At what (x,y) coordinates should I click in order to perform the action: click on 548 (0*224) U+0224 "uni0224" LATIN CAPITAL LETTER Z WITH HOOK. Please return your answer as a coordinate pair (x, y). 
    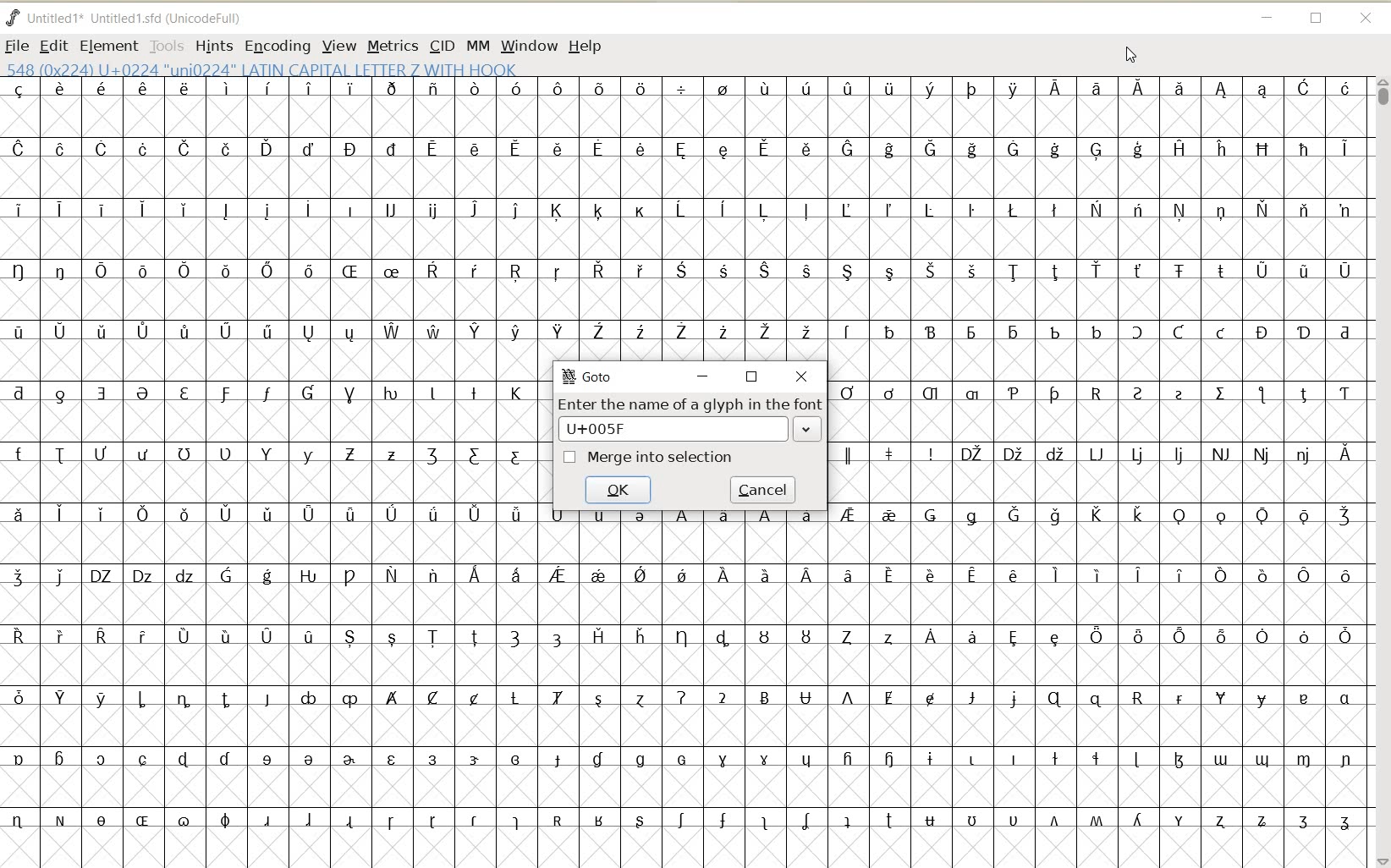
    Looking at the image, I should click on (264, 69).